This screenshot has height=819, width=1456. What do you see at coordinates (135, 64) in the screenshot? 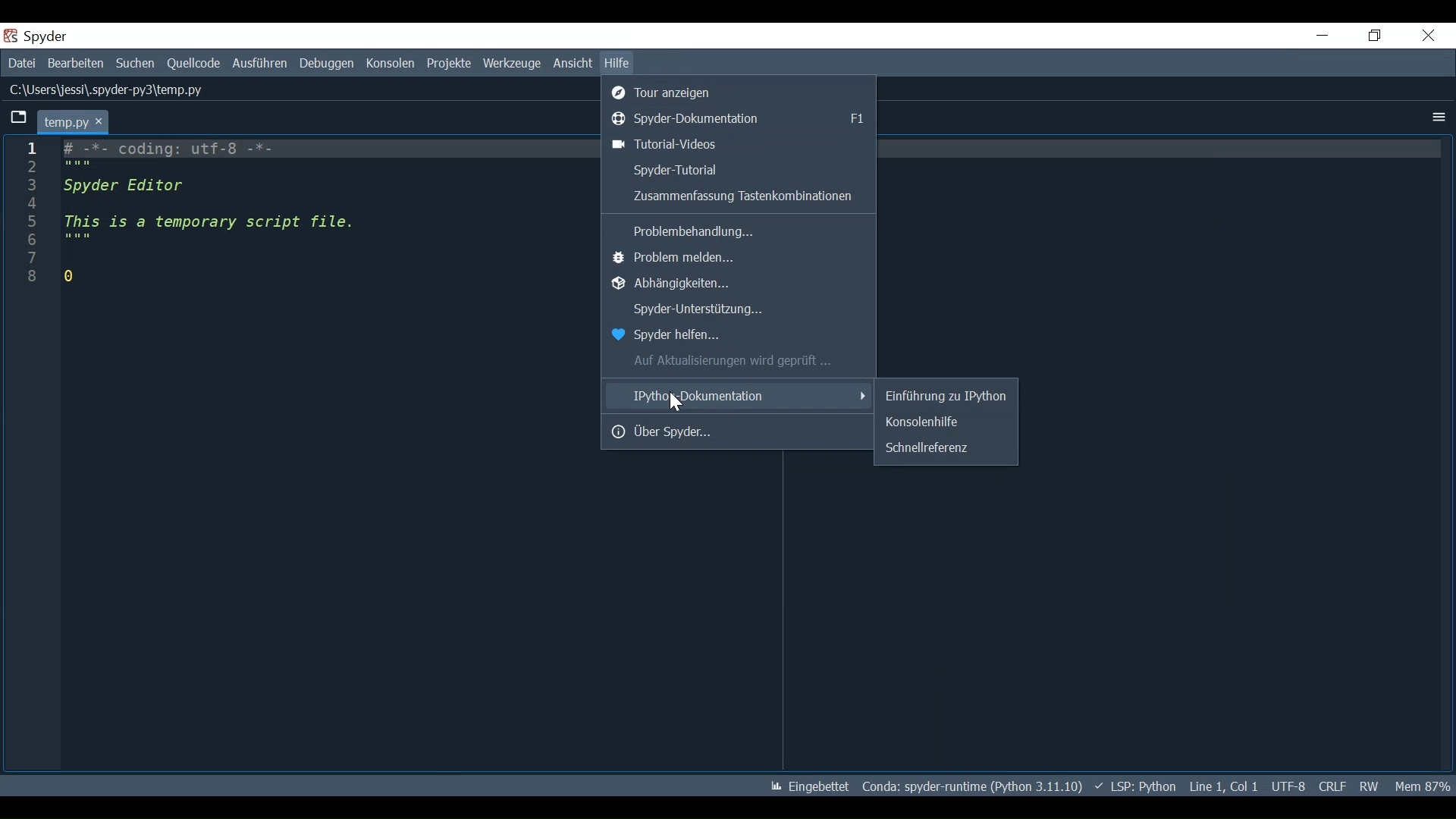
I see `Search` at bounding box center [135, 64].